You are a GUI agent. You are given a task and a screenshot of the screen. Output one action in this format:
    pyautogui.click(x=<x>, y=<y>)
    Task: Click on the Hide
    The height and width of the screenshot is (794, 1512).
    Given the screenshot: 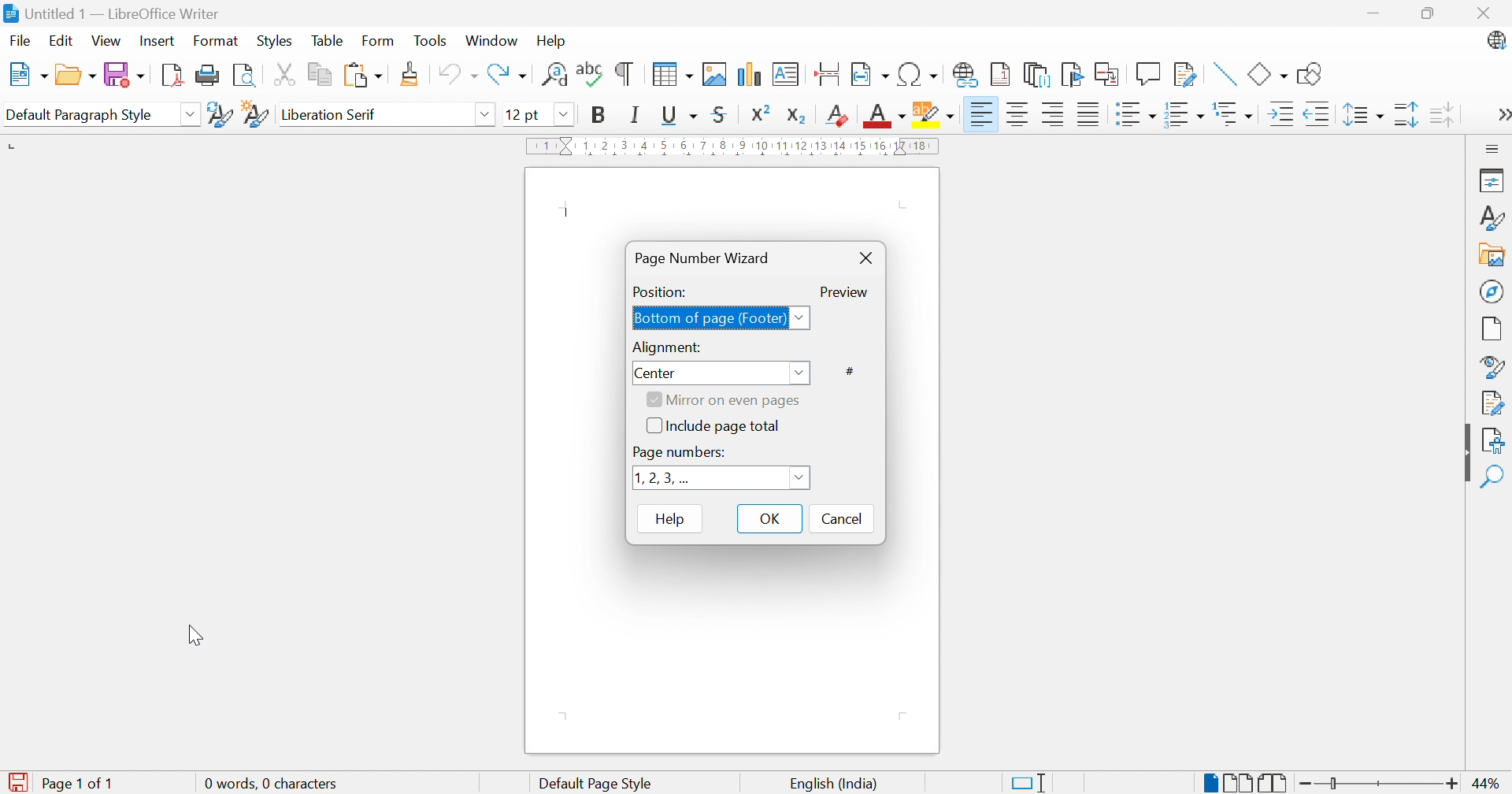 What is the action you would take?
    pyautogui.click(x=1464, y=454)
    